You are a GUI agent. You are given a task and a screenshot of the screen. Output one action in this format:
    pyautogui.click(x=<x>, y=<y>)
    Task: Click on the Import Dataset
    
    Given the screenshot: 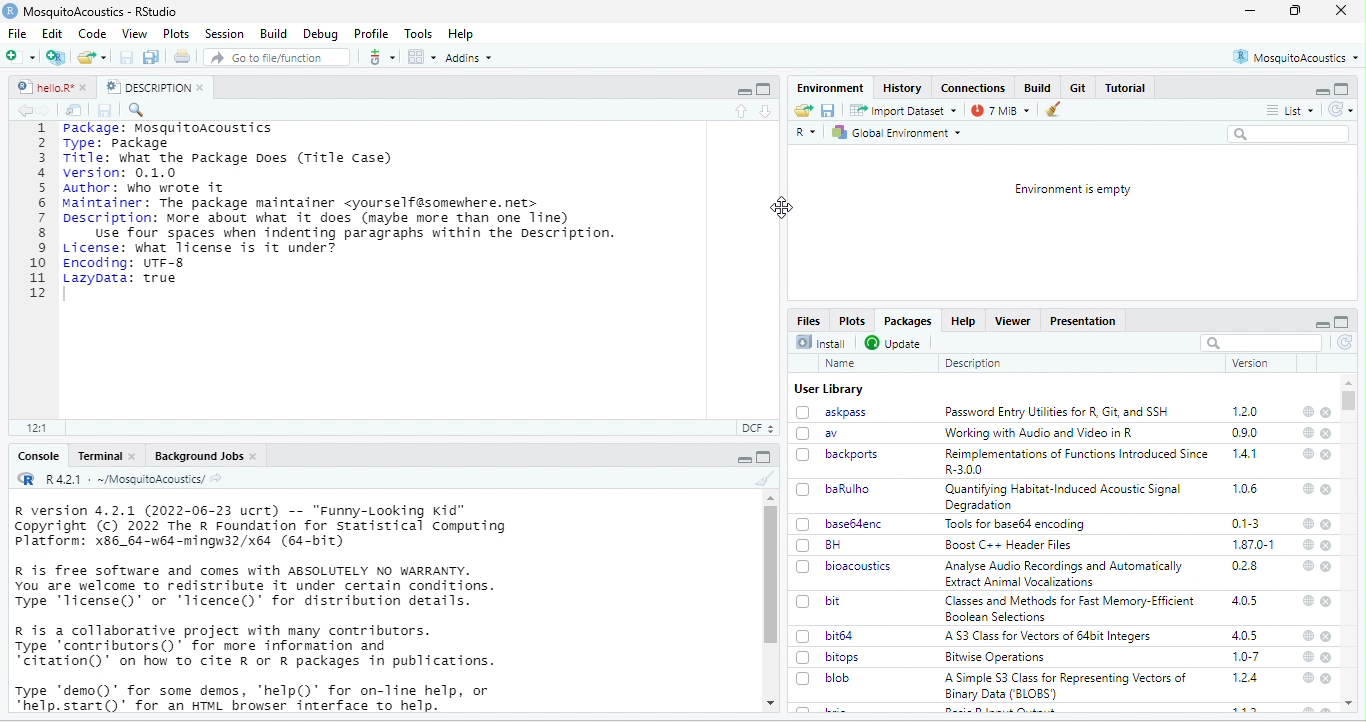 What is the action you would take?
    pyautogui.click(x=903, y=110)
    